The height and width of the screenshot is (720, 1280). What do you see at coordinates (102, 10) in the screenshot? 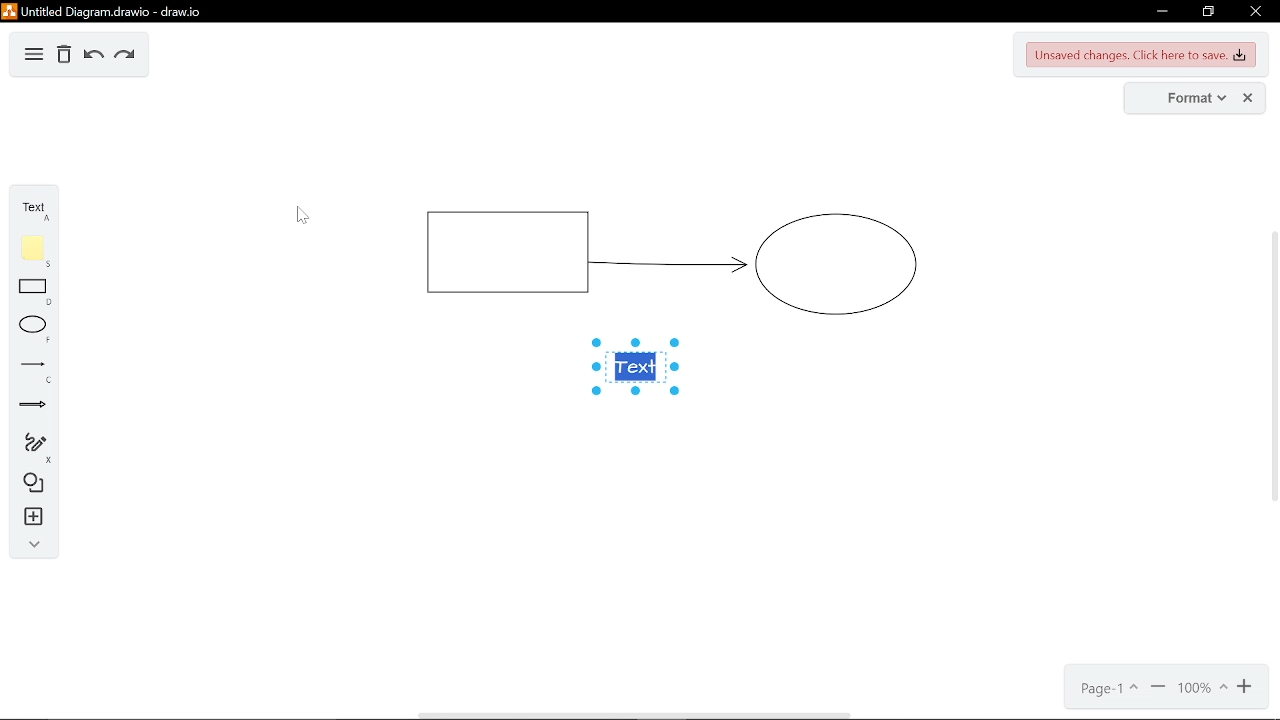
I see `Untitled Diagram.drawio - draw.io` at bounding box center [102, 10].